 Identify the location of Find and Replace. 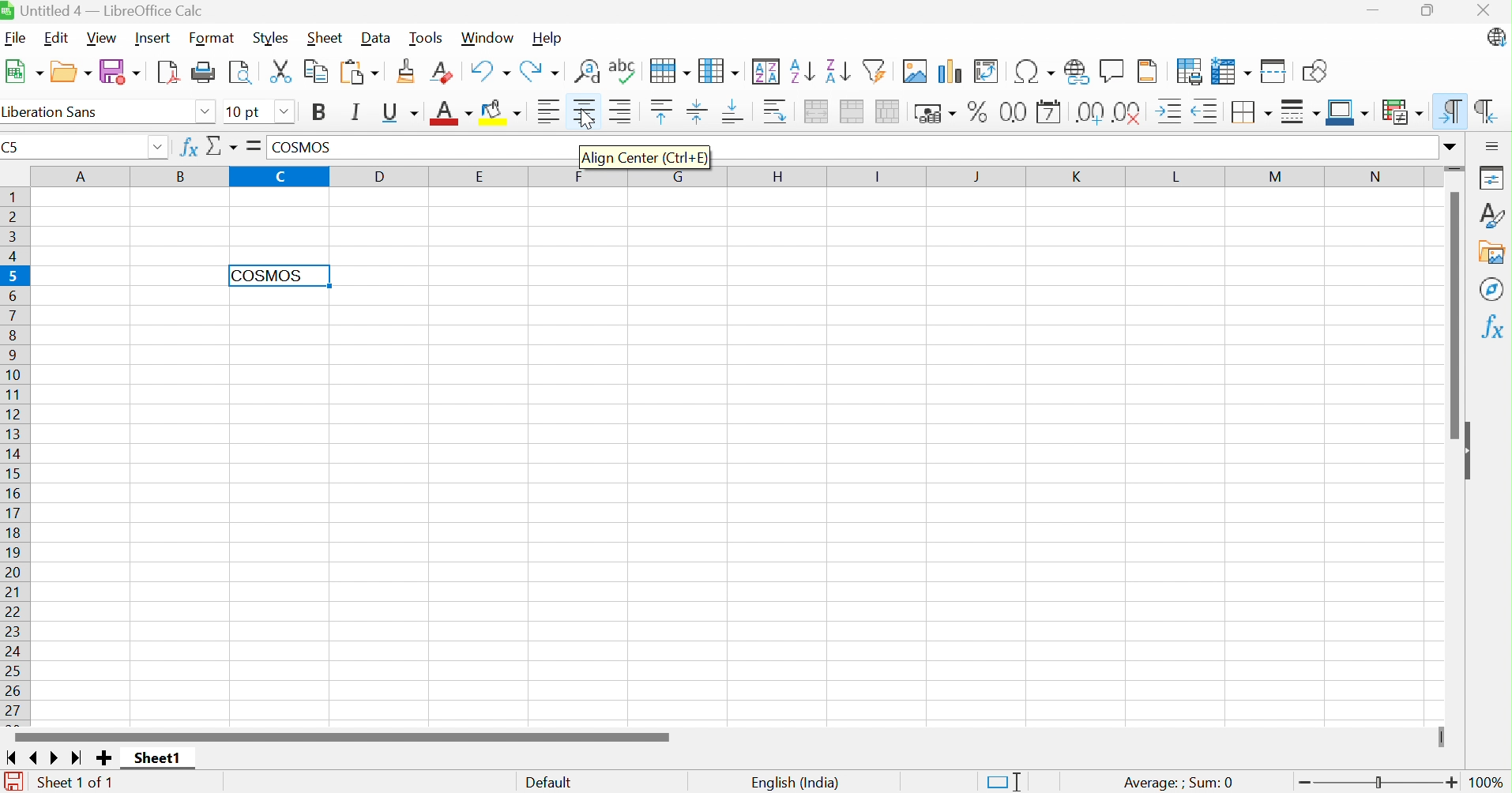
(585, 71).